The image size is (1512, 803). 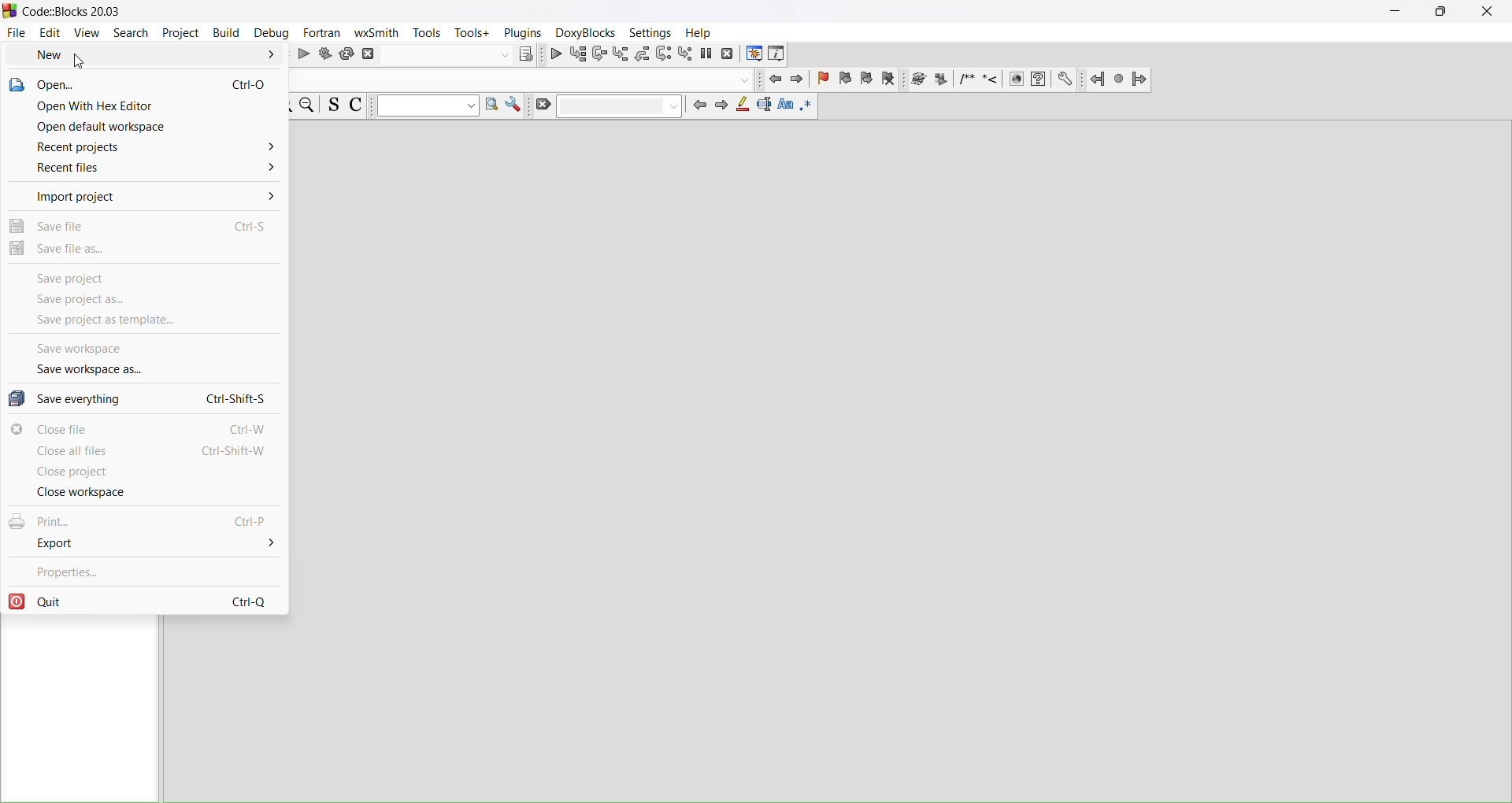 What do you see at coordinates (1395, 14) in the screenshot?
I see `minimize` at bounding box center [1395, 14].